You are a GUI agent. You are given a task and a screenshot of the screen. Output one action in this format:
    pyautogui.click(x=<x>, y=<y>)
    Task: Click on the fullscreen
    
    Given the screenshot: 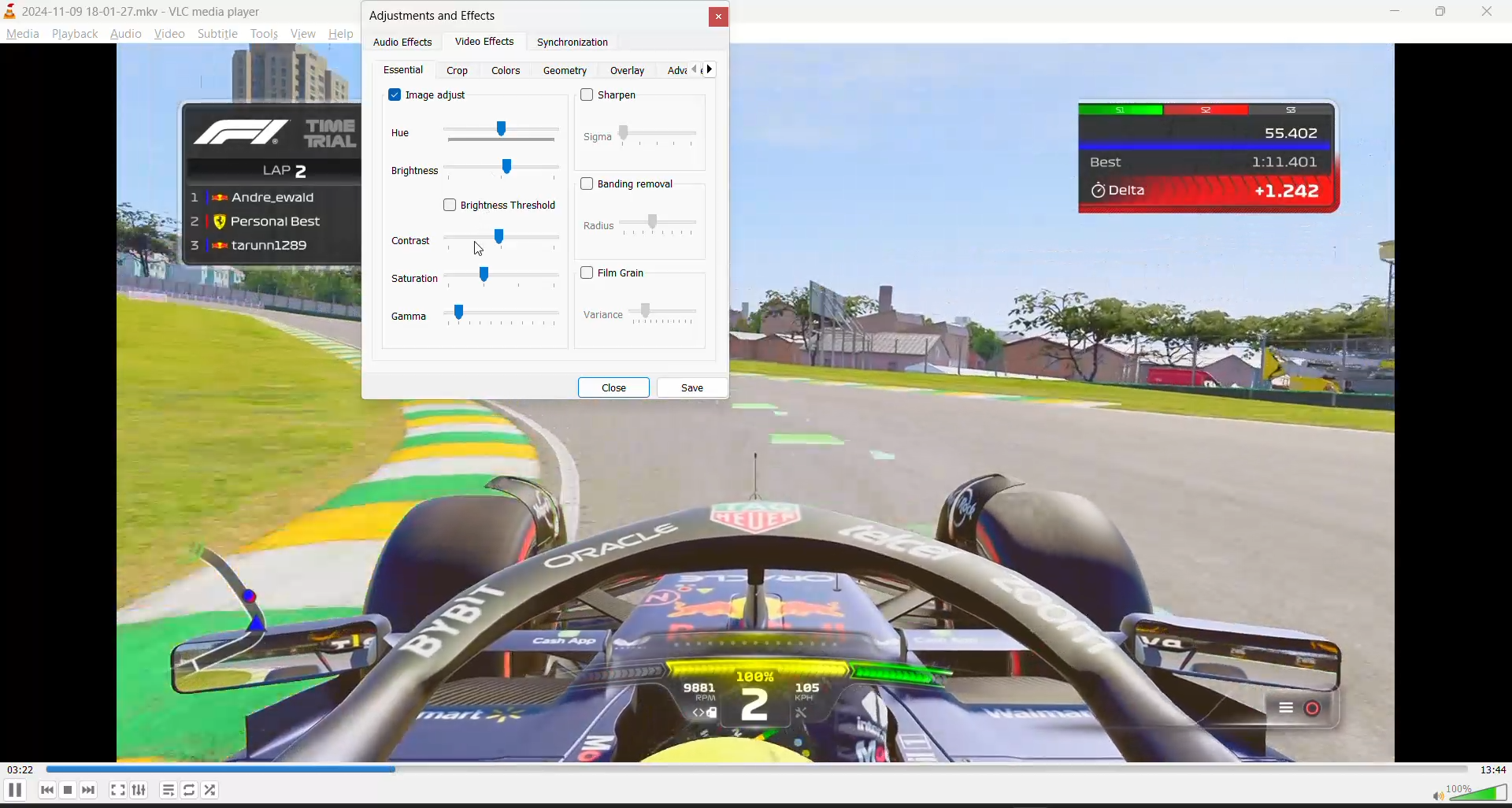 What is the action you would take?
    pyautogui.click(x=117, y=791)
    